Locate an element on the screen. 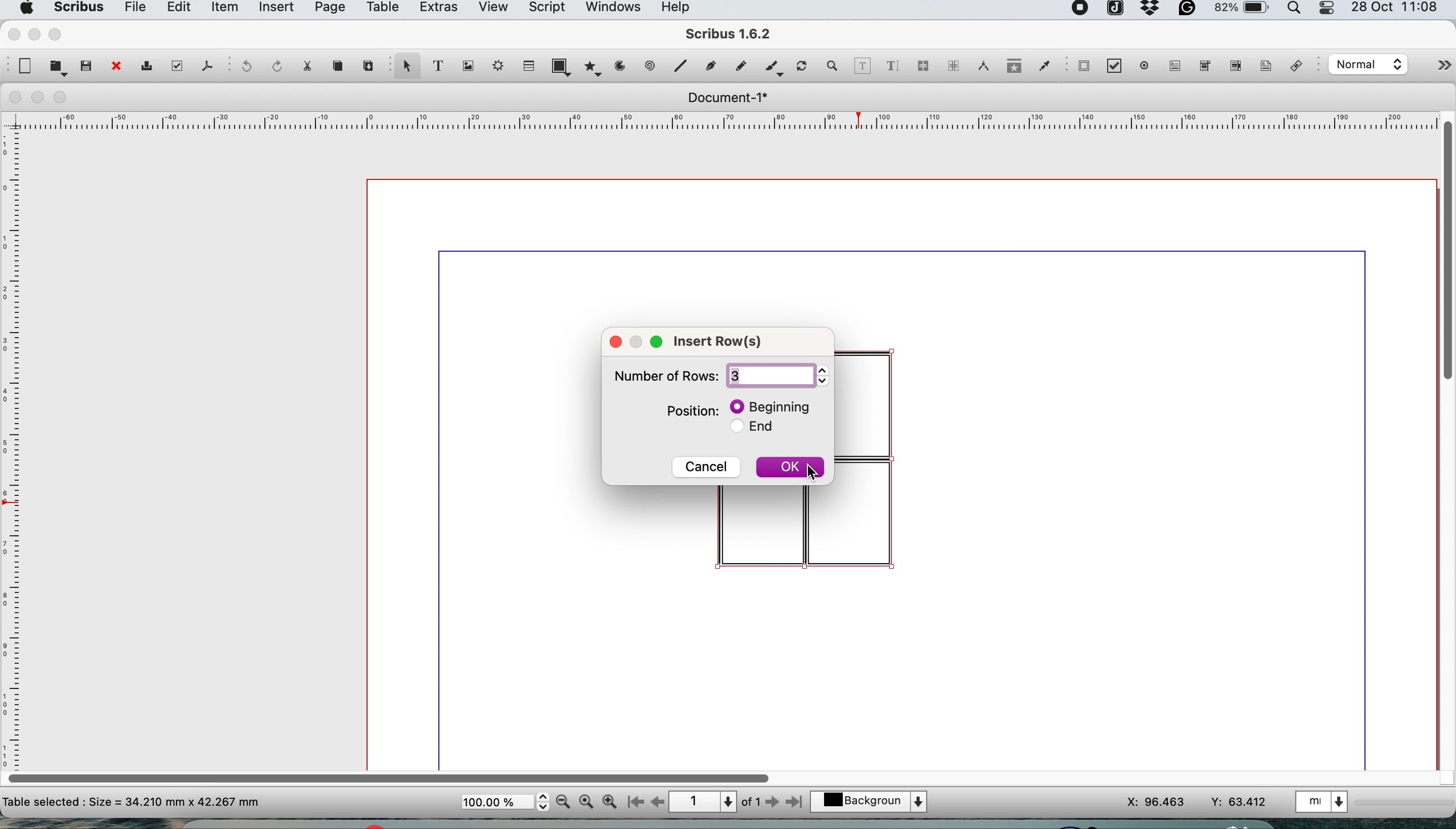  xy coordinates is located at coordinates (1197, 802).